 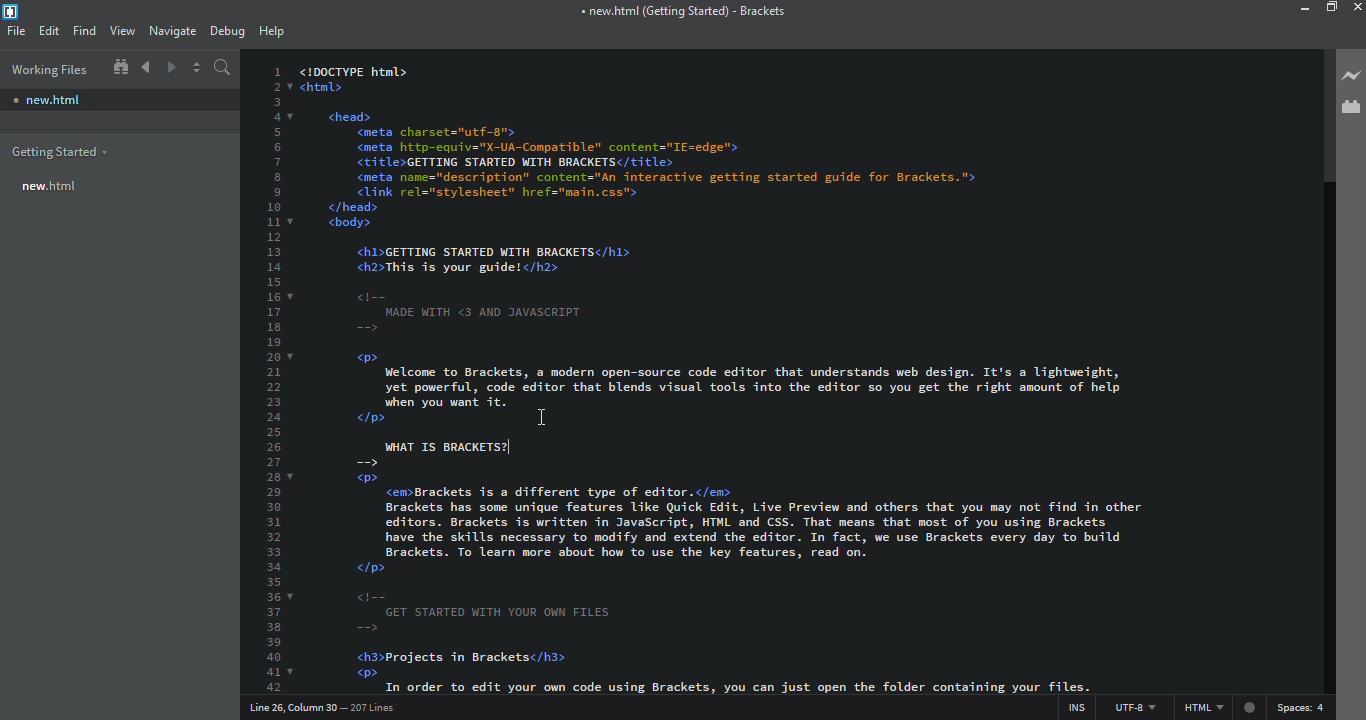 I want to click on test code, so click(x=776, y=575).